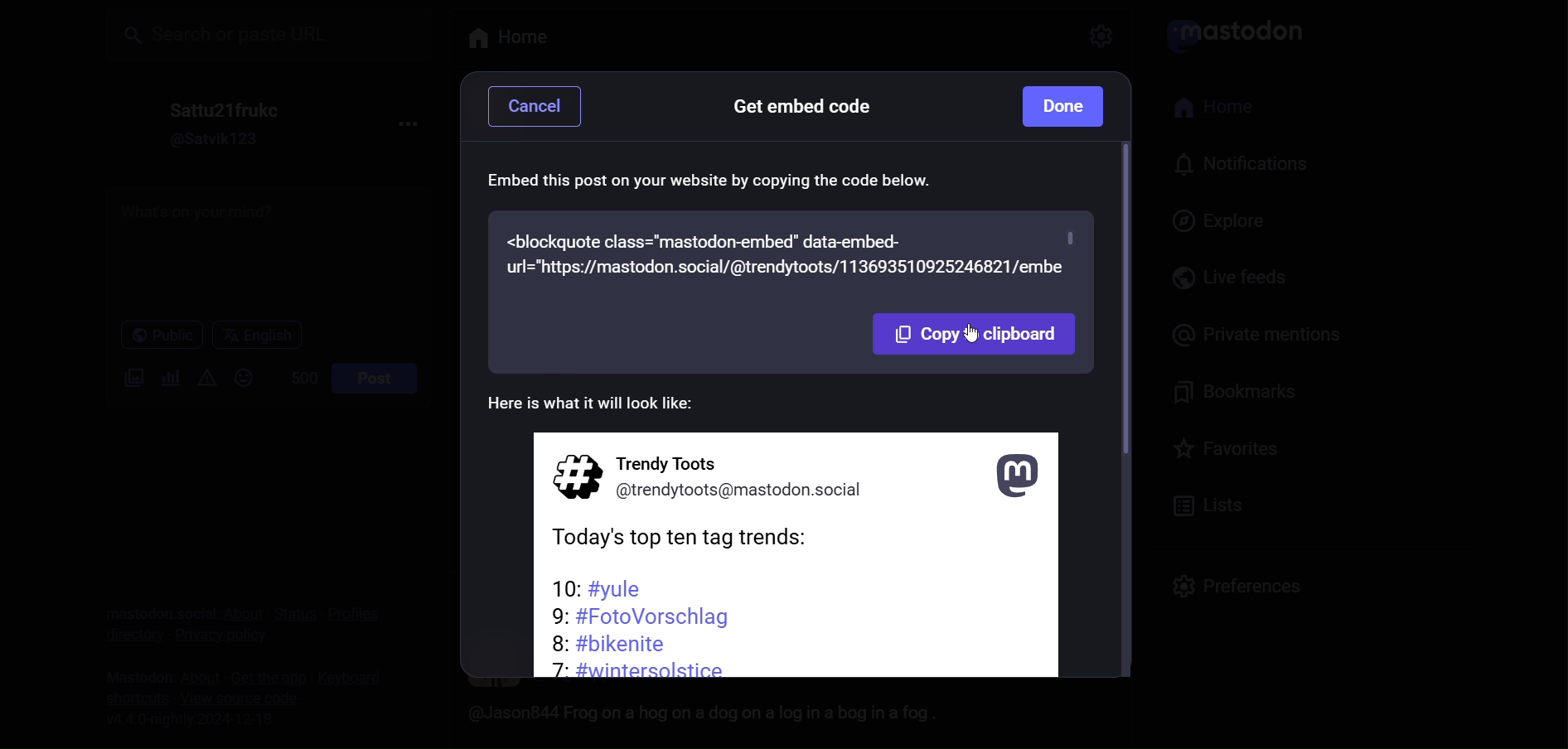 Image resolution: width=1568 pixels, height=749 pixels. What do you see at coordinates (1123, 410) in the screenshot?
I see `scroll bar` at bounding box center [1123, 410].